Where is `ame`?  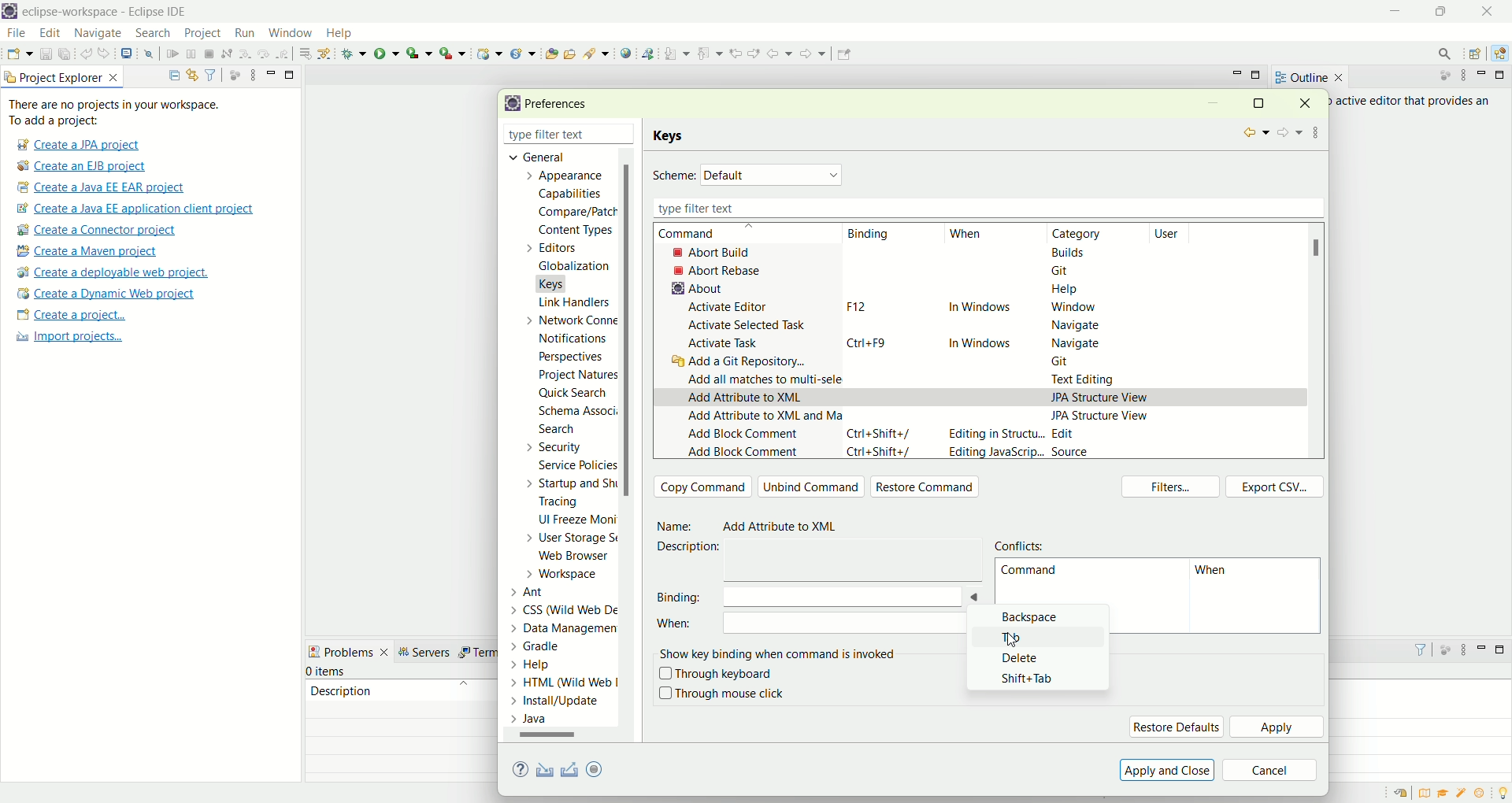
ame is located at coordinates (677, 527).